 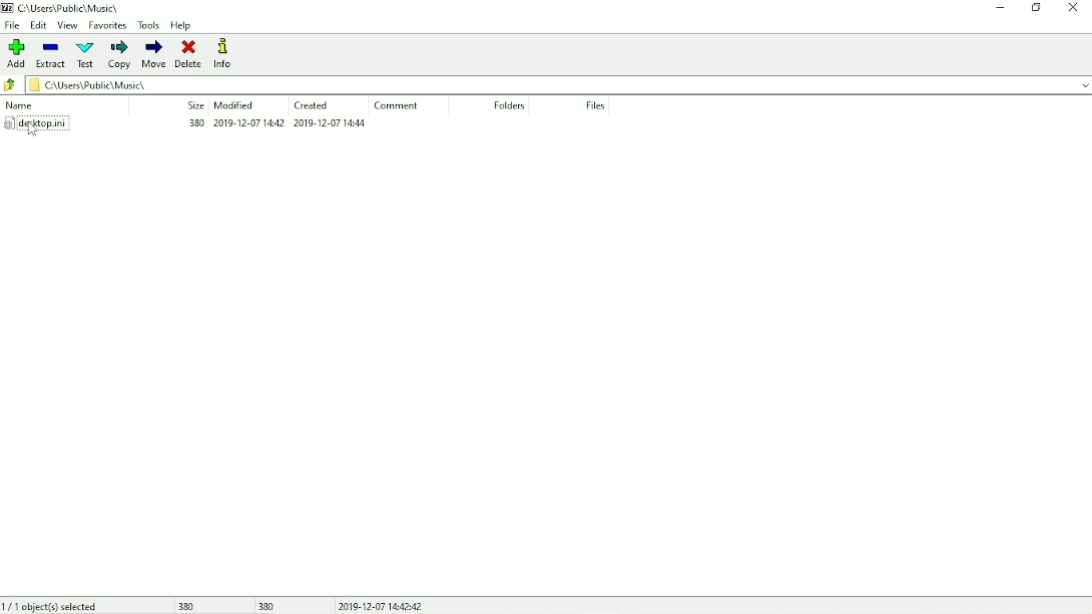 I want to click on Tools, so click(x=149, y=26).